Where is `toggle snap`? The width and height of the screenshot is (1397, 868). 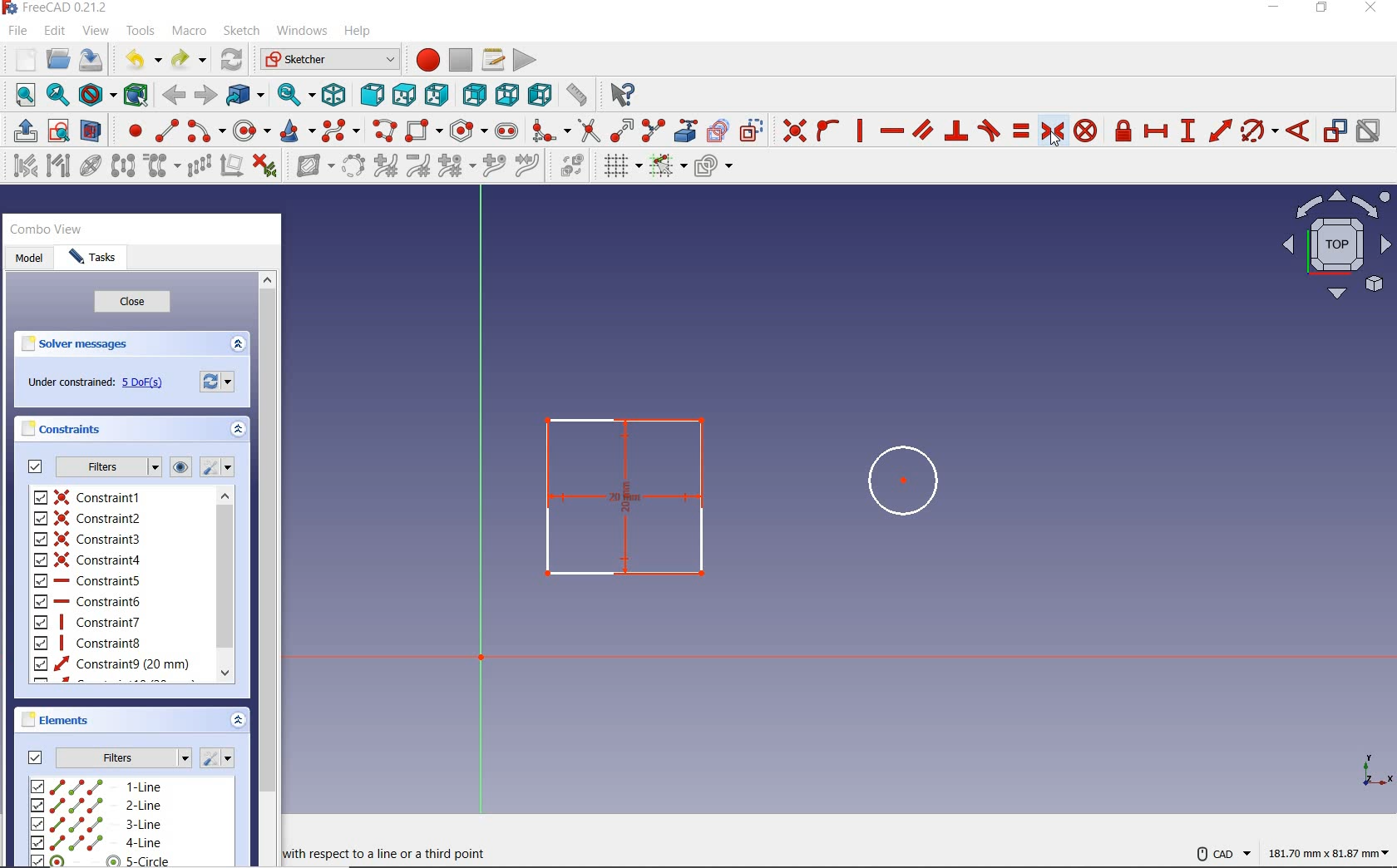
toggle snap is located at coordinates (669, 165).